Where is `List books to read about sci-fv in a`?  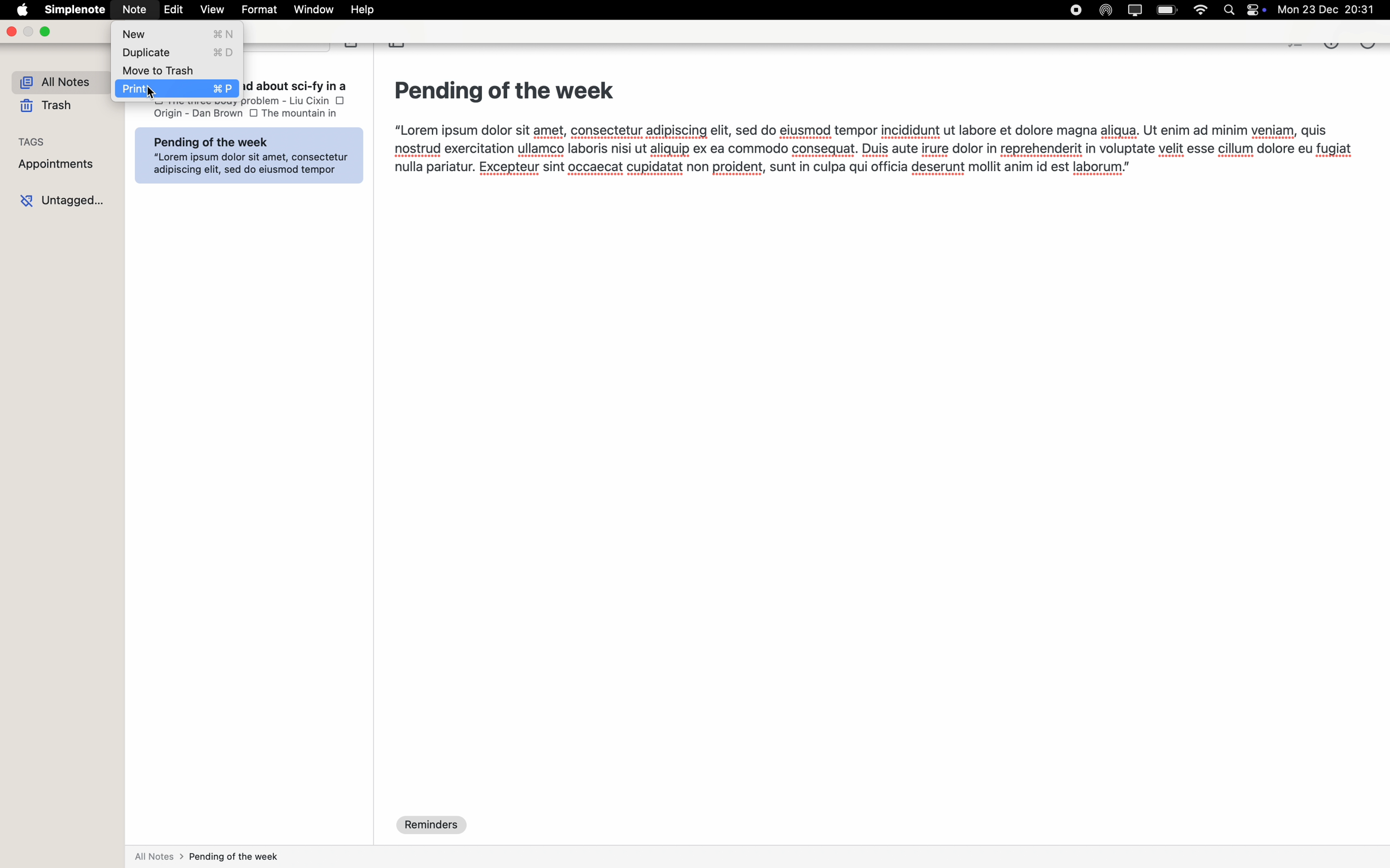 List books to read about sci-fv in a is located at coordinates (299, 83).